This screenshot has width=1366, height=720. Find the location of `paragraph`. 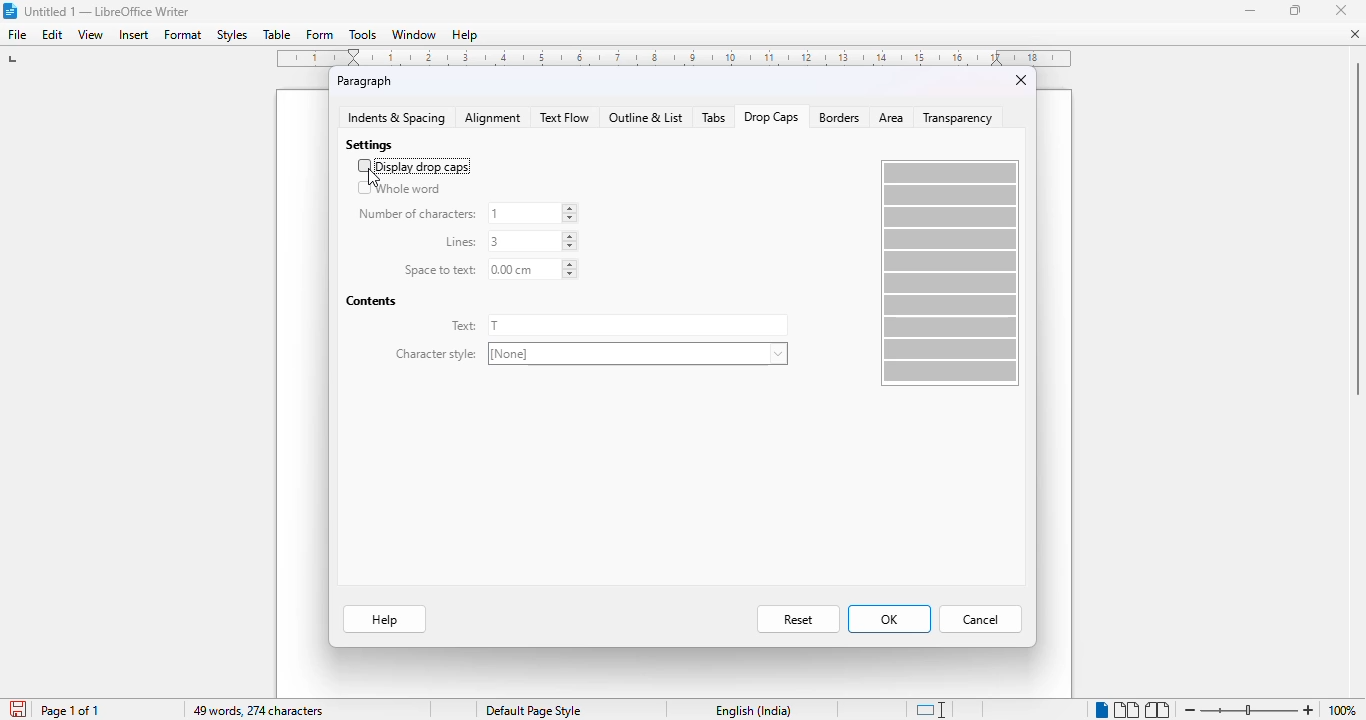

paragraph is located at coordinates (365, 82).